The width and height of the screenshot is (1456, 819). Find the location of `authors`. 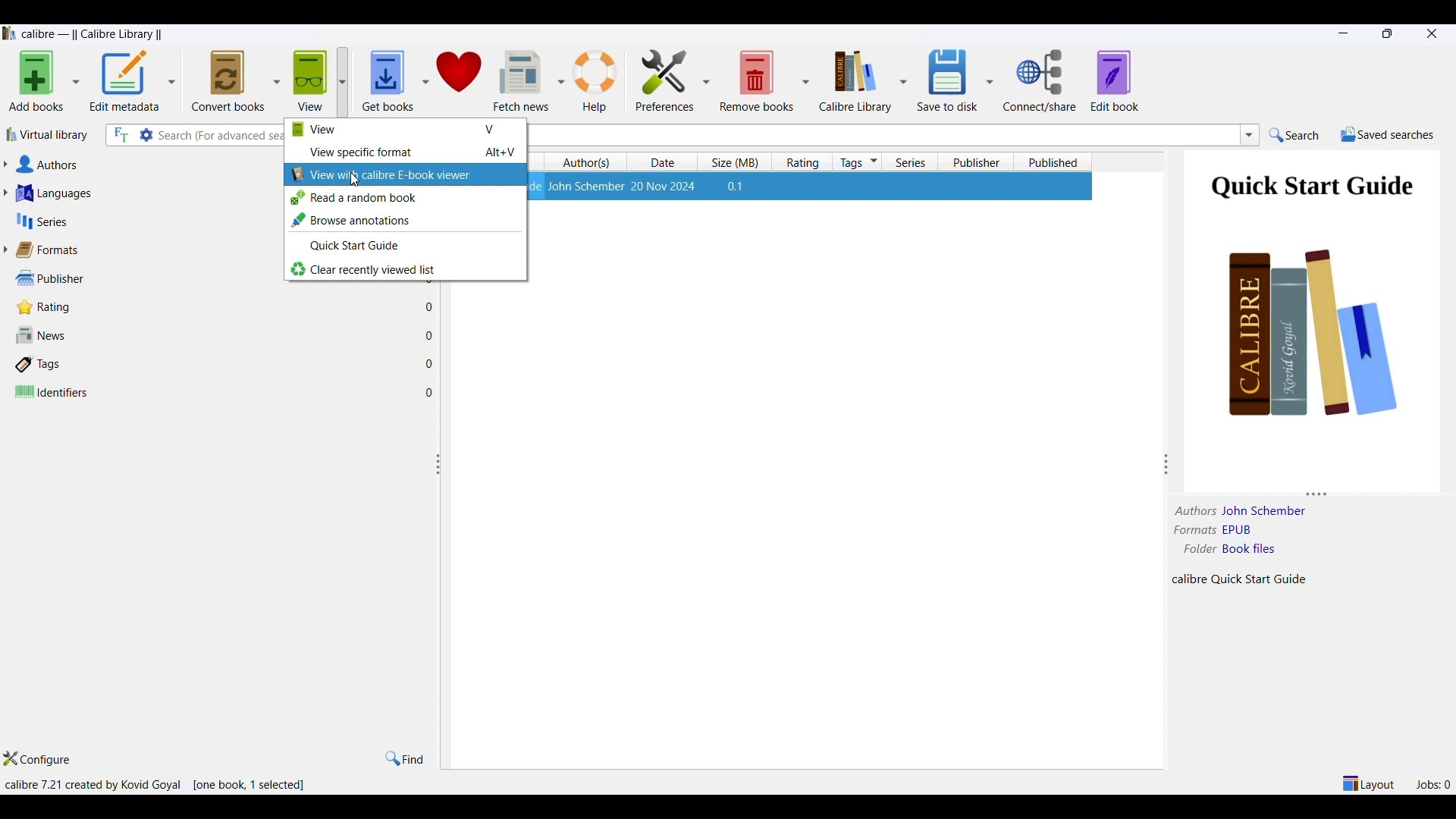

authors is located at coordinates (590, 162).